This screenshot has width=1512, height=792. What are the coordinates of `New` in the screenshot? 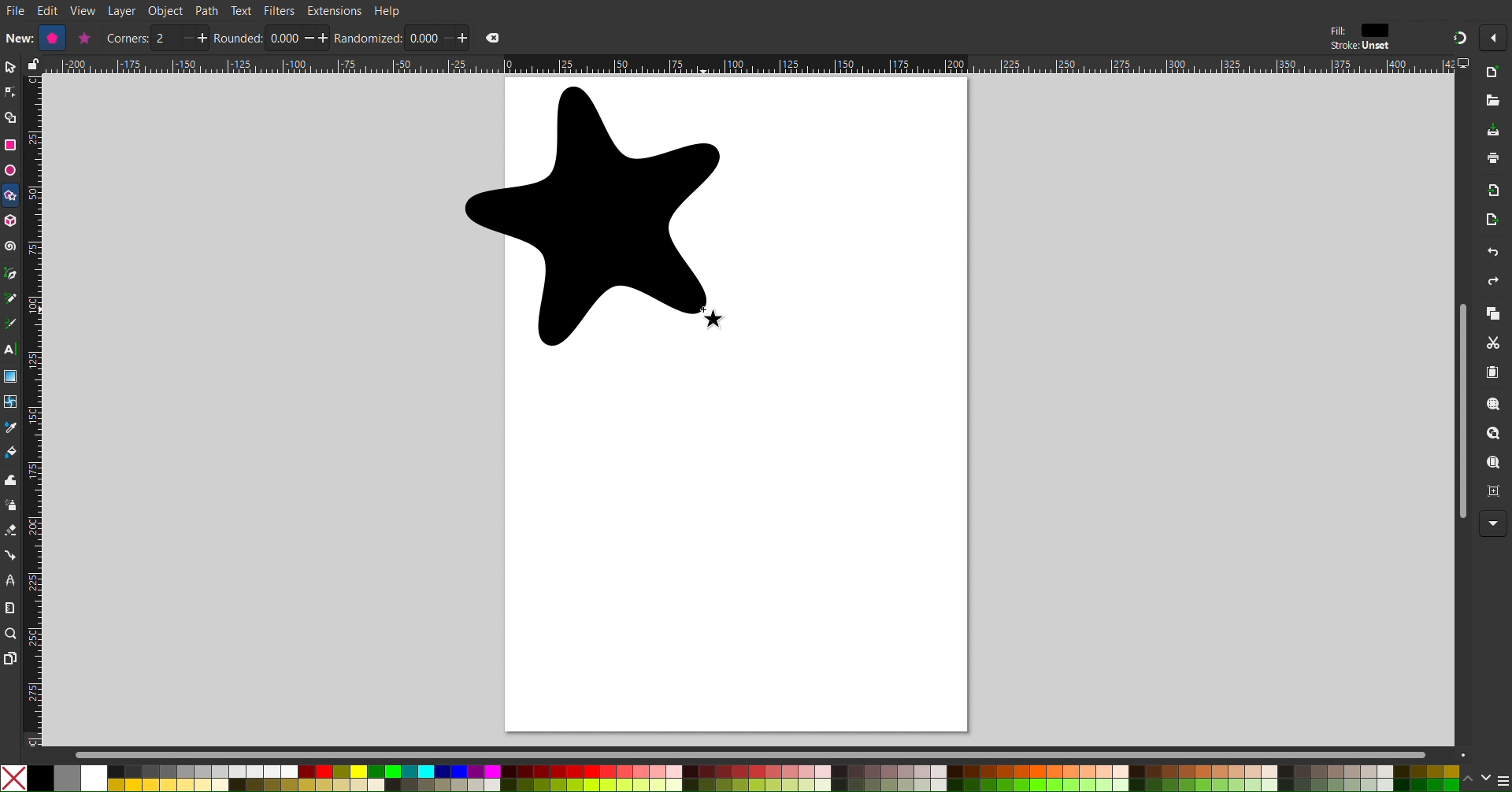 It's located at (17, 37).